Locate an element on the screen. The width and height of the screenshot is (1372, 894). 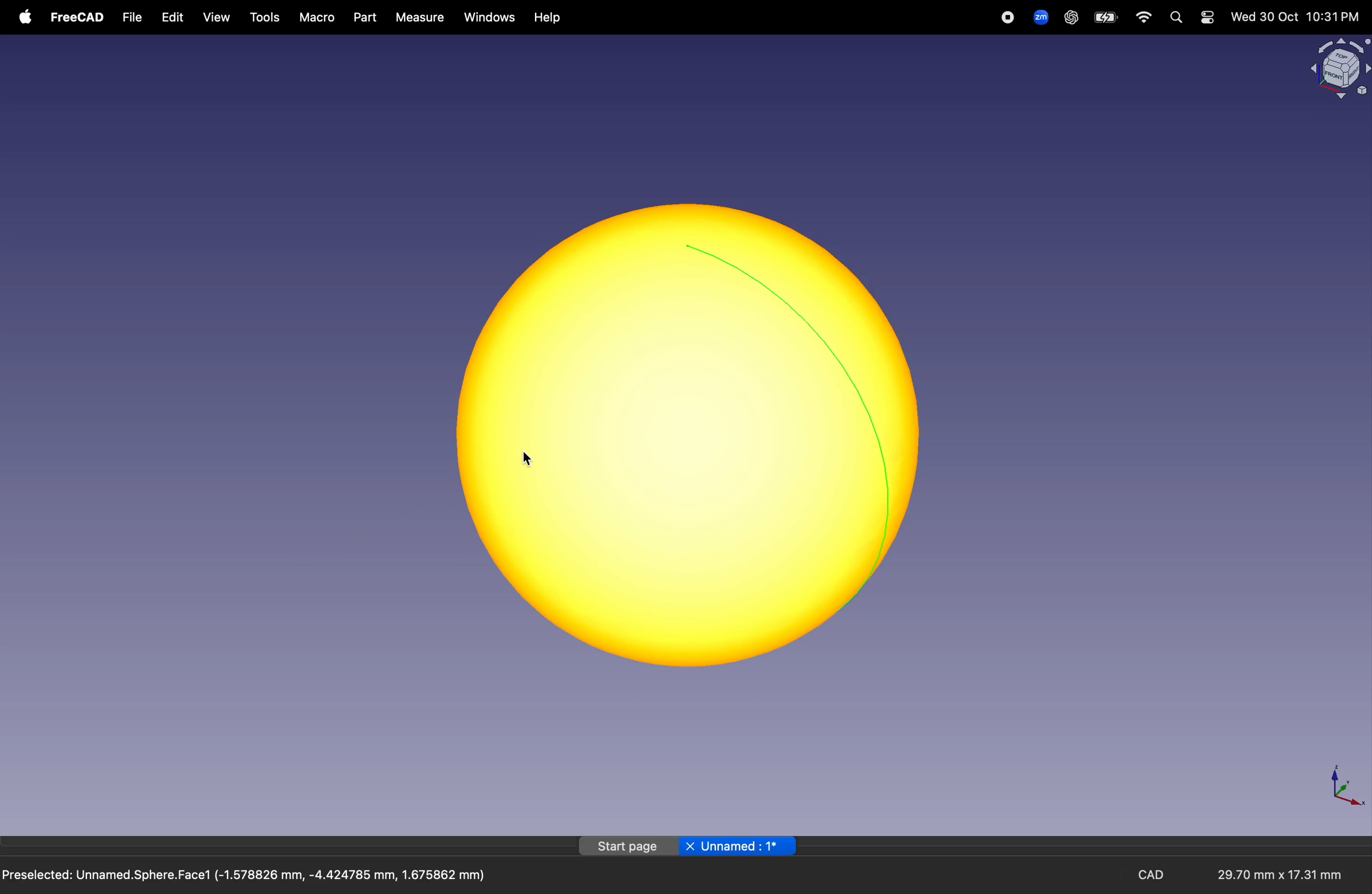
cad is located at coordinates (1155, 875).